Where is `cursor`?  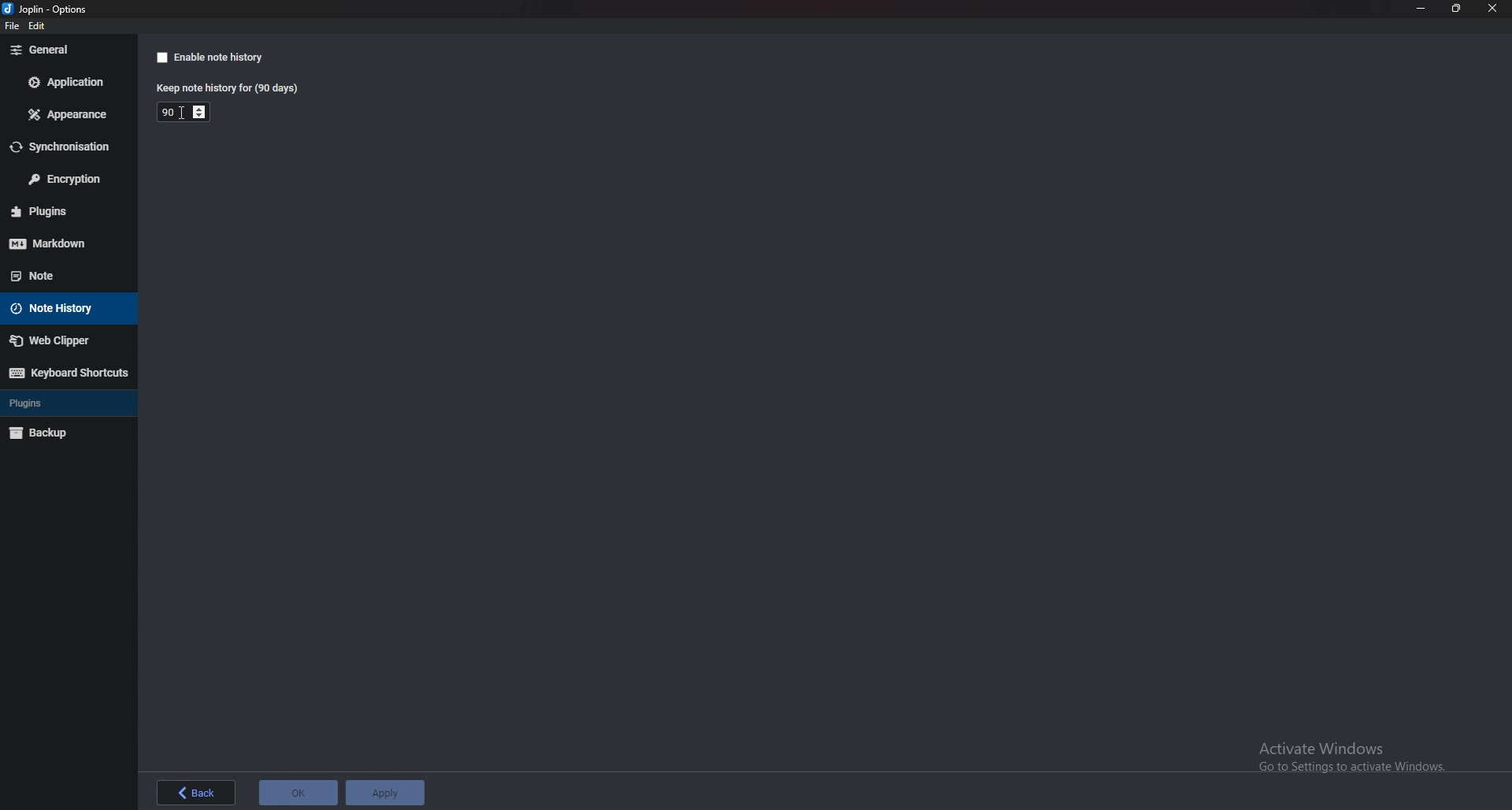 cursor is located at coordinates (177, 113).